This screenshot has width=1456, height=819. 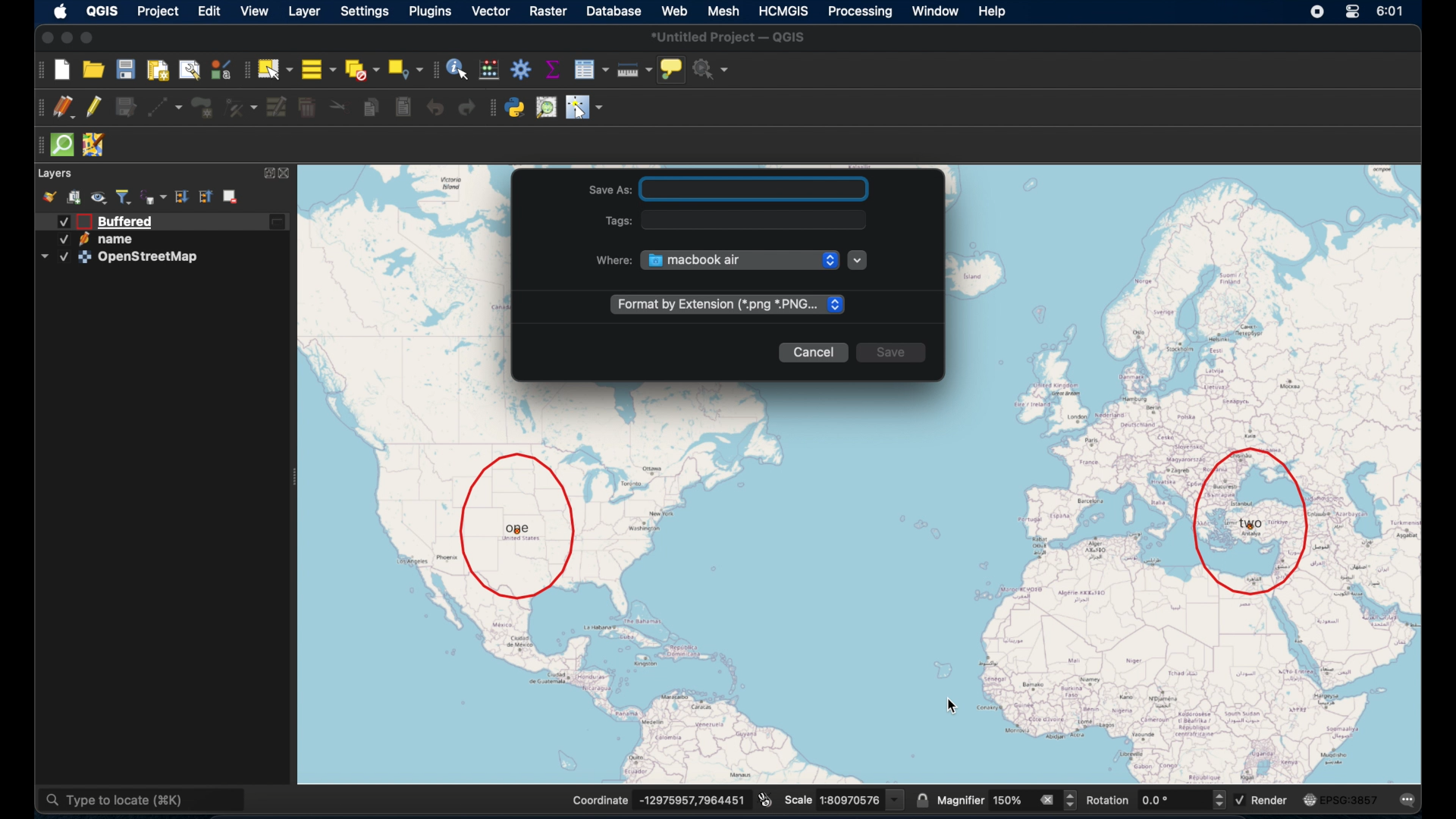 I want to click on edit, so click(x=211, y=11).